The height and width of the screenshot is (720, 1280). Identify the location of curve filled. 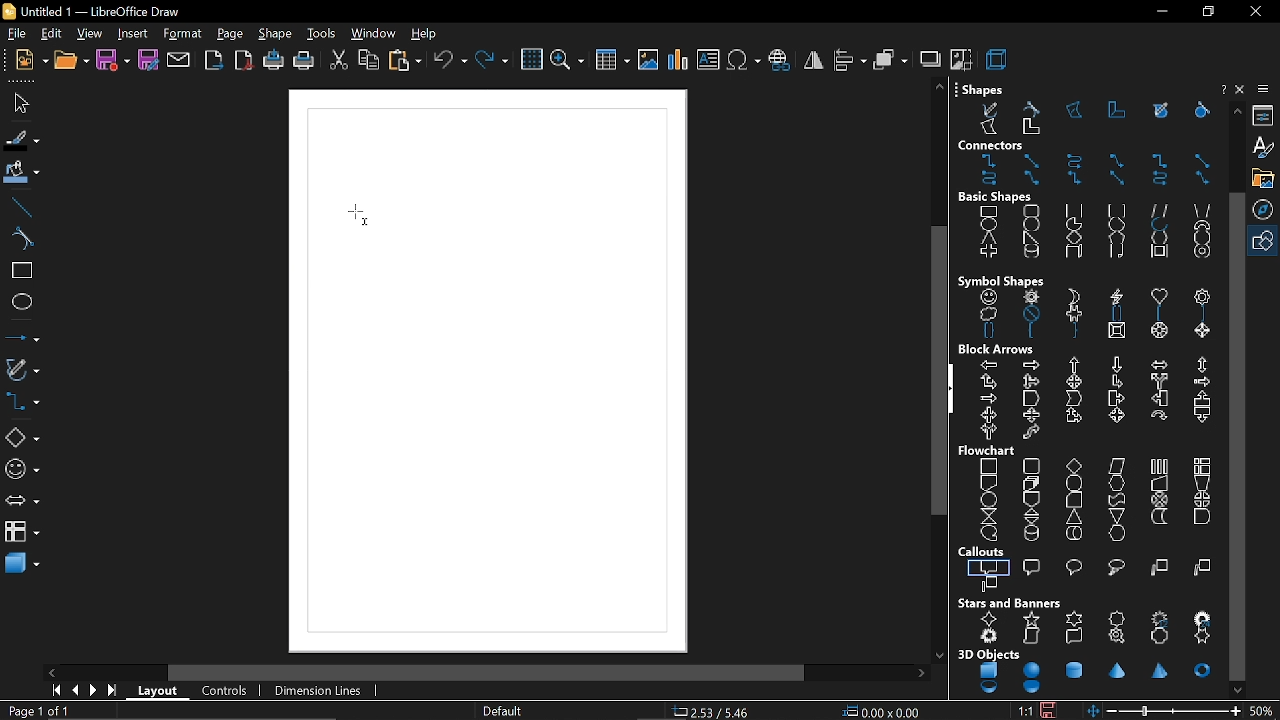
(1198, 111).